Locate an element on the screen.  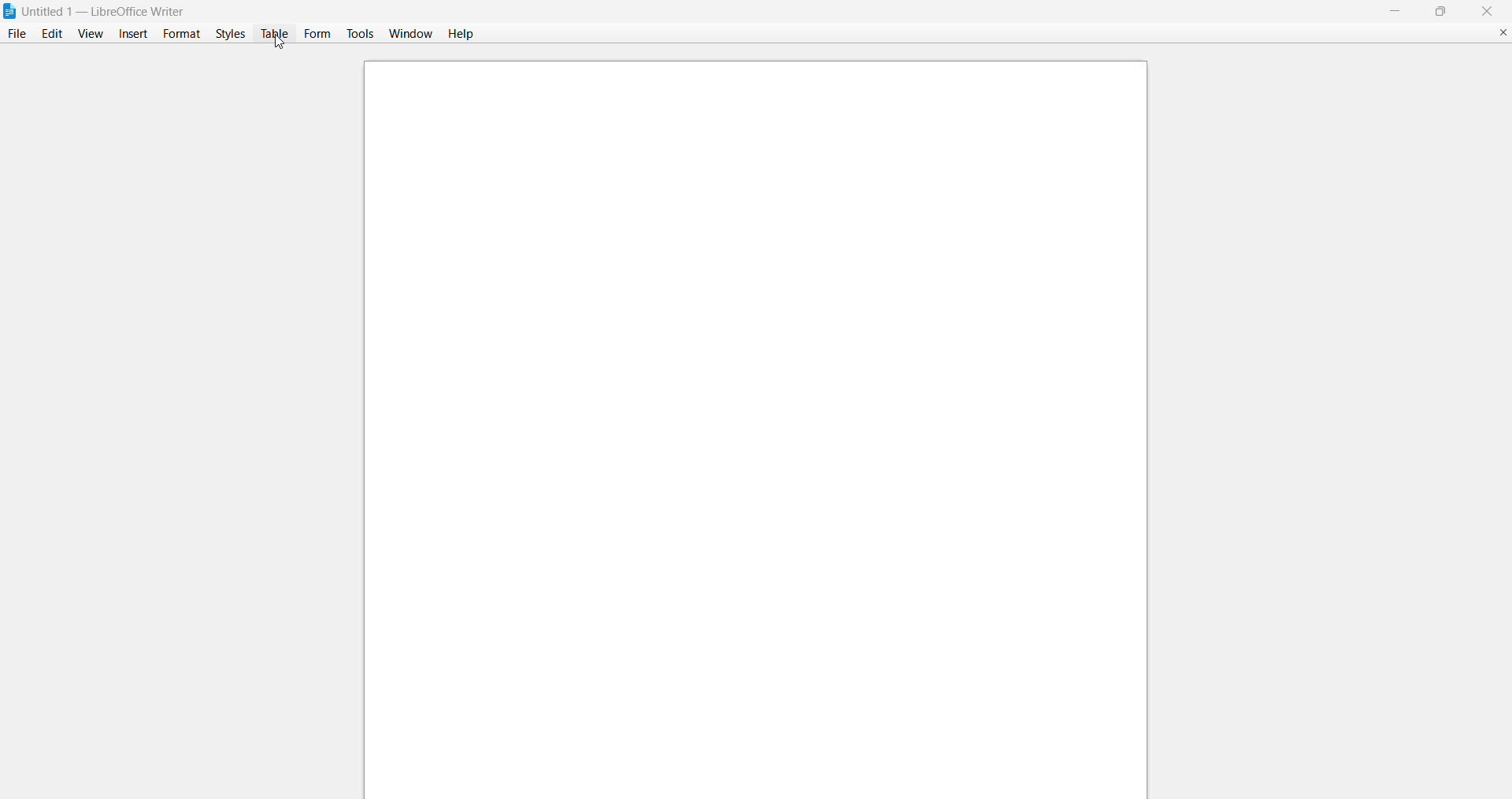
cursor is located at coordinates (277, 45).